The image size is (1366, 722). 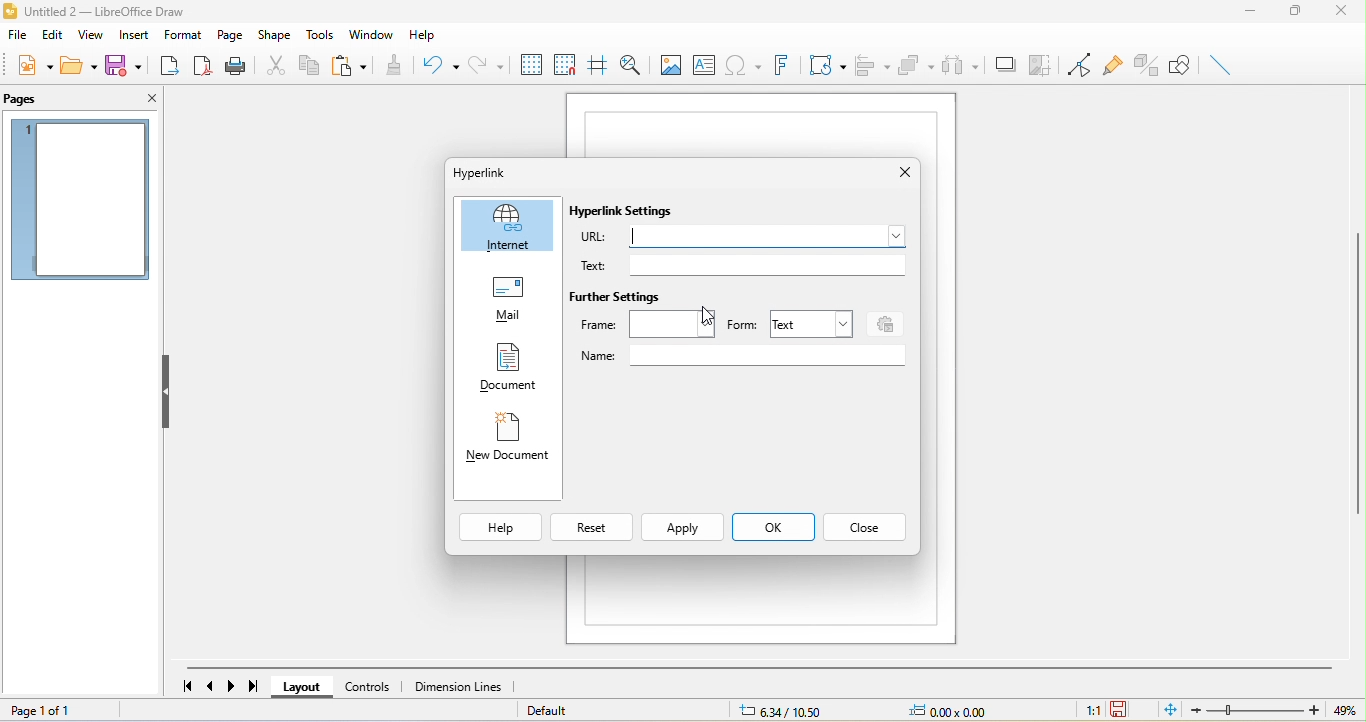 I want to click on window, so click(x=368, y=36).